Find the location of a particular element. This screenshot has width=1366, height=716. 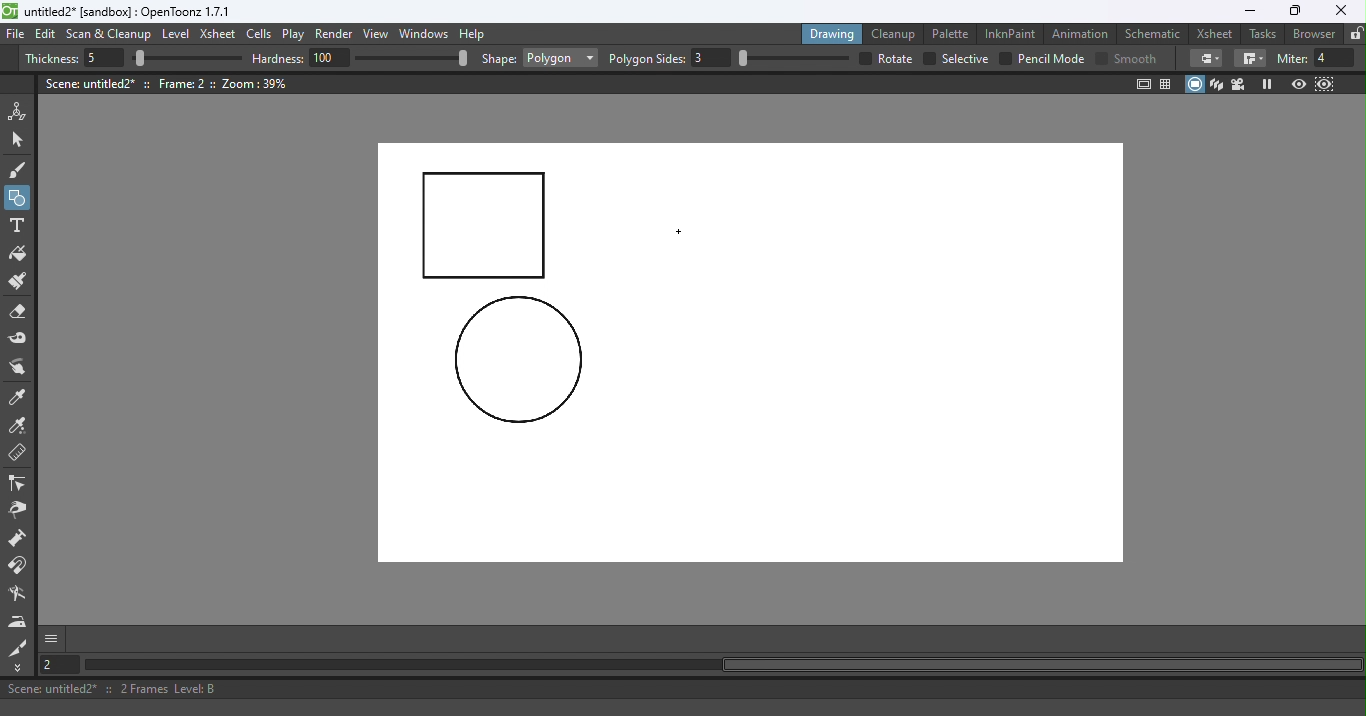

Border corners is located at coordinates (1250, 59).